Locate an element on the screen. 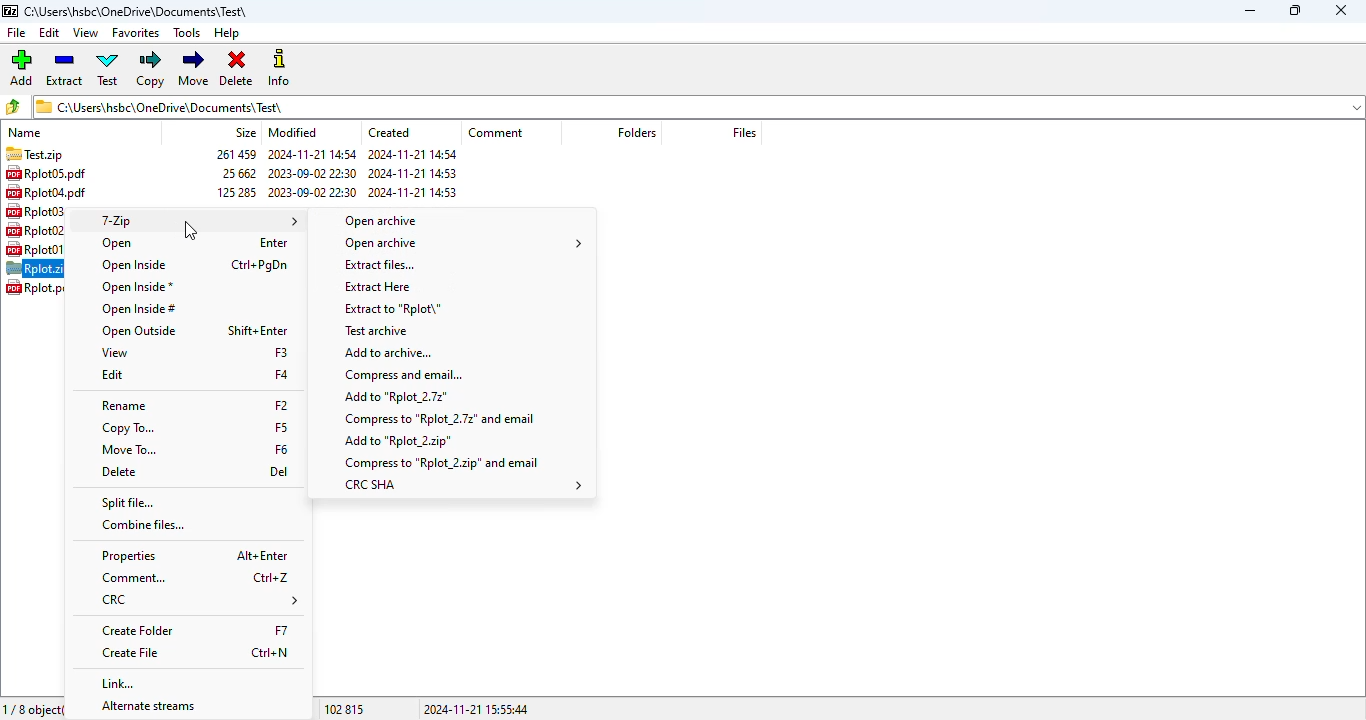  create file is located at coordinates (130, 653).